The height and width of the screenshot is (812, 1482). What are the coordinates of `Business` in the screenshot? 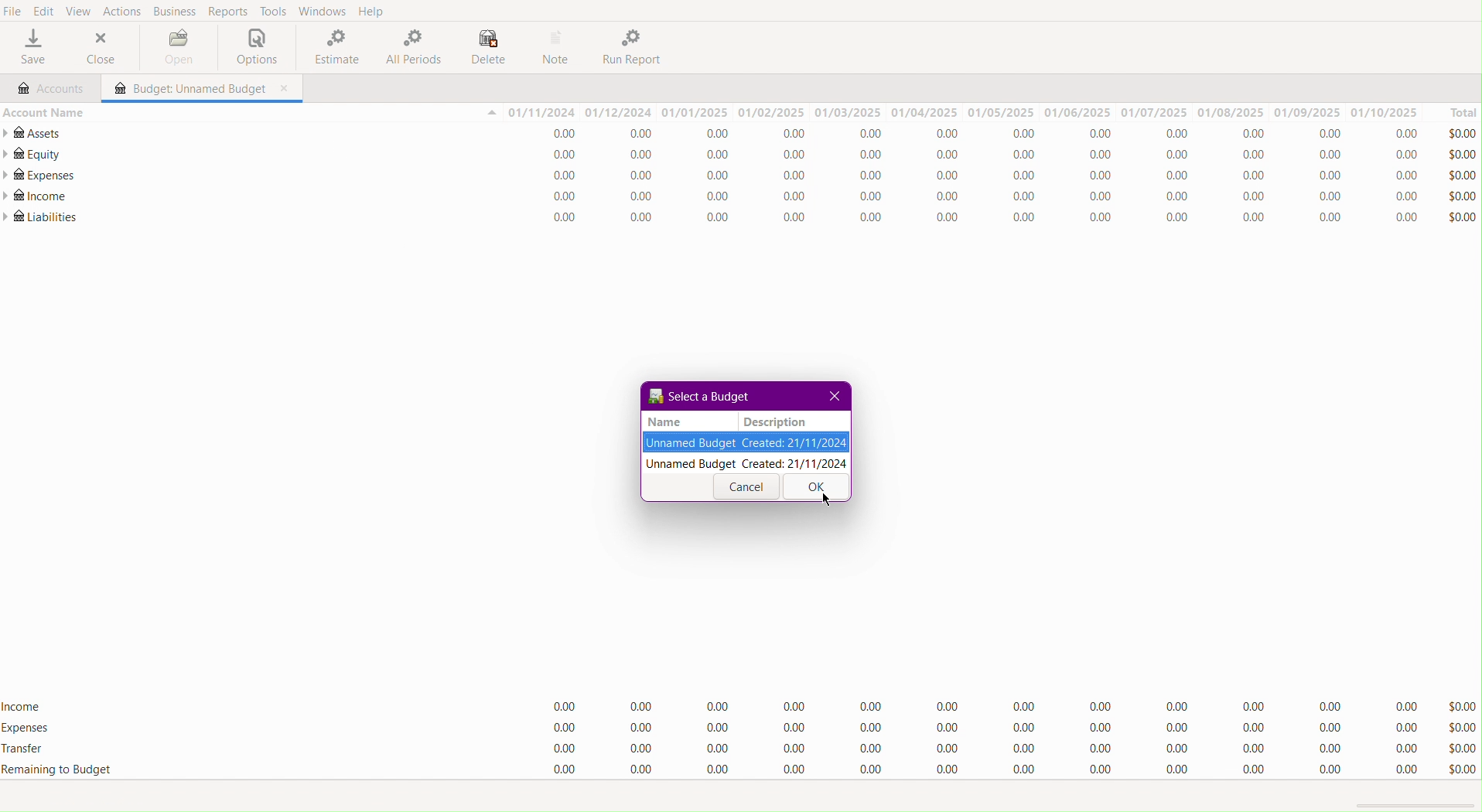 It's located at (176, 11).